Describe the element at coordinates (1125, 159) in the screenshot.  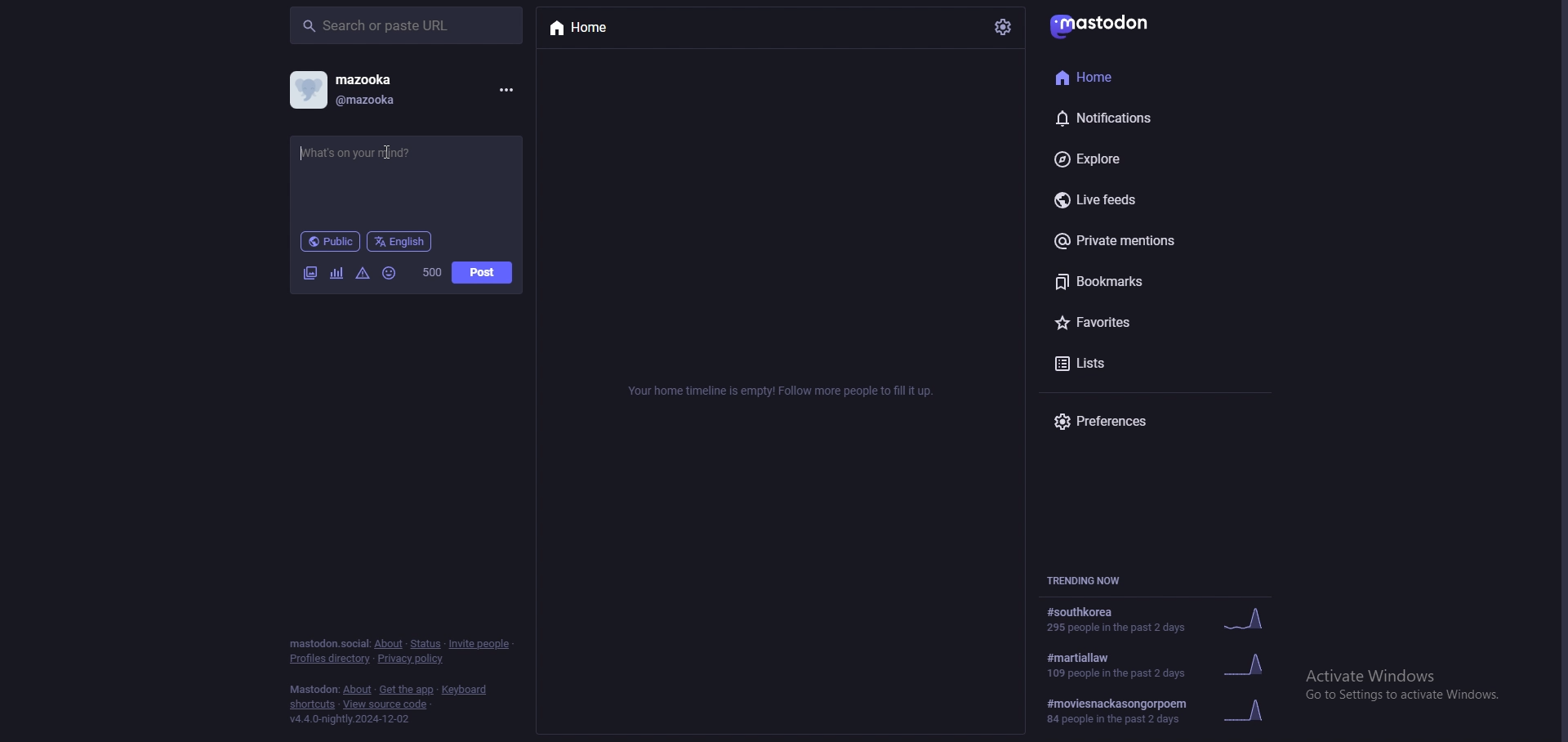
I see `explore` at that location.